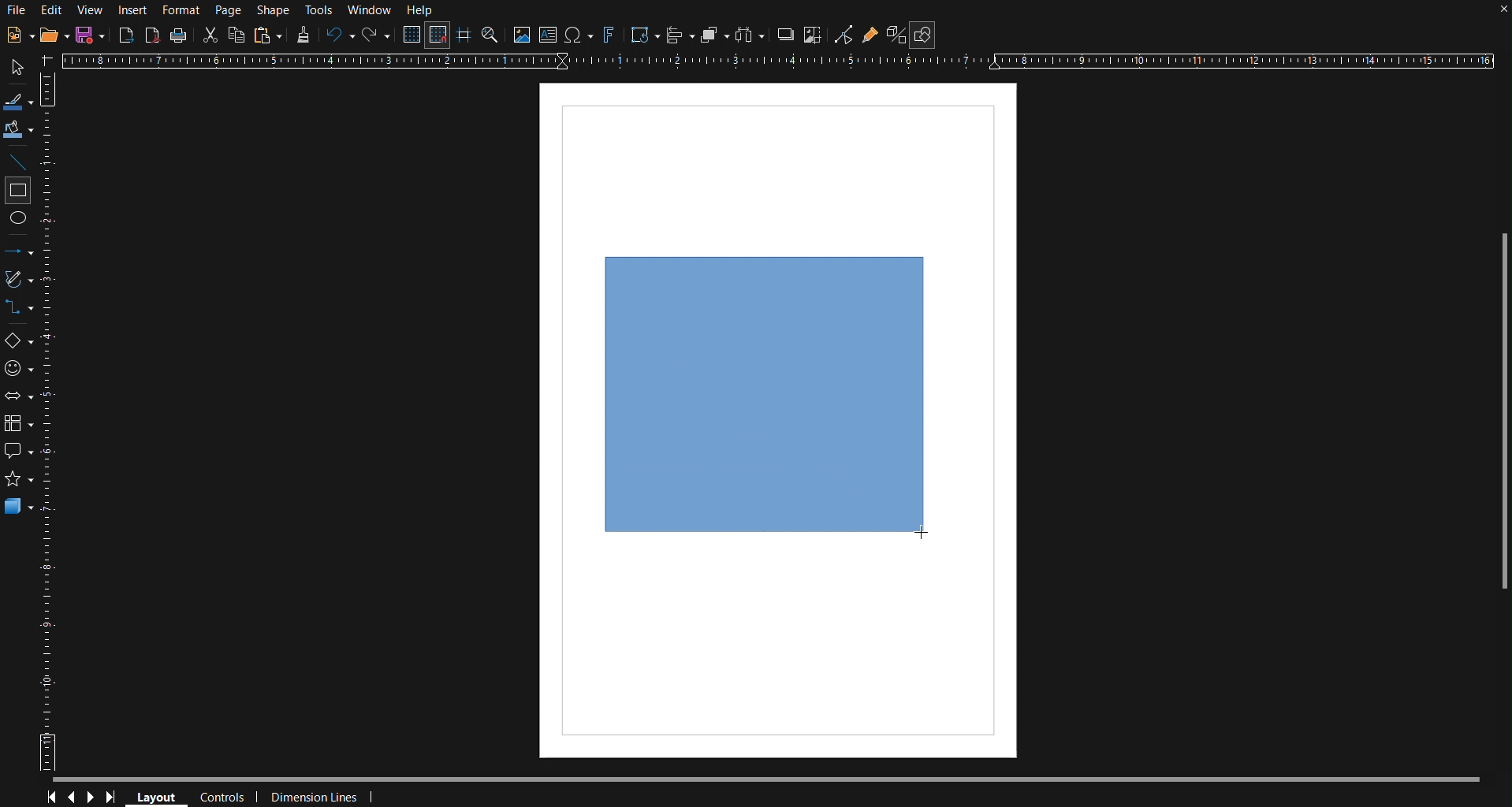  Describe the element at coordinates (923, 35) in the screenshot. I see `Show Draw Functions` at that location.